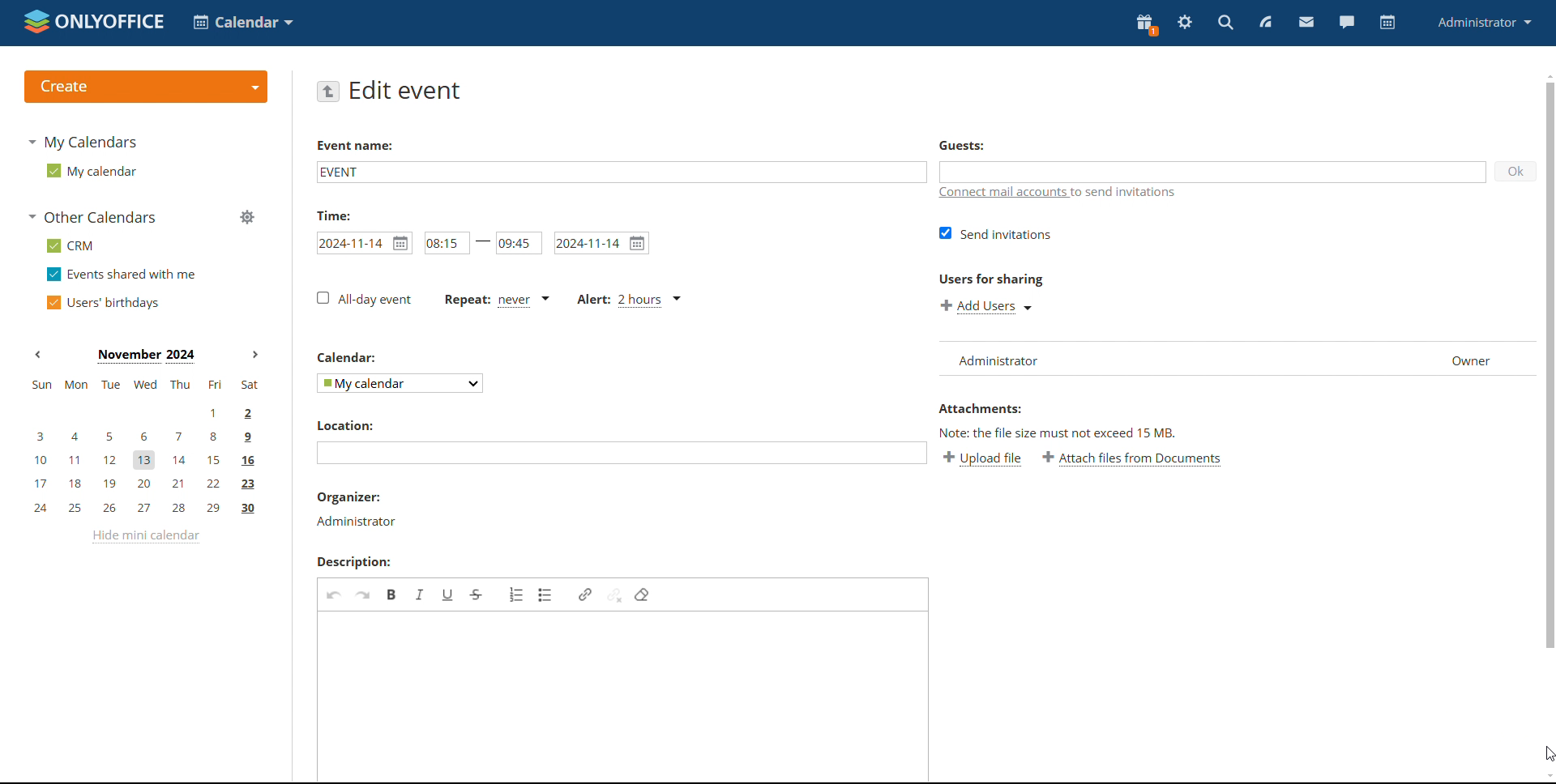  Describe the element at coordinates (362, 300) in the screenshot. I see `all day event checkbox` at that location.